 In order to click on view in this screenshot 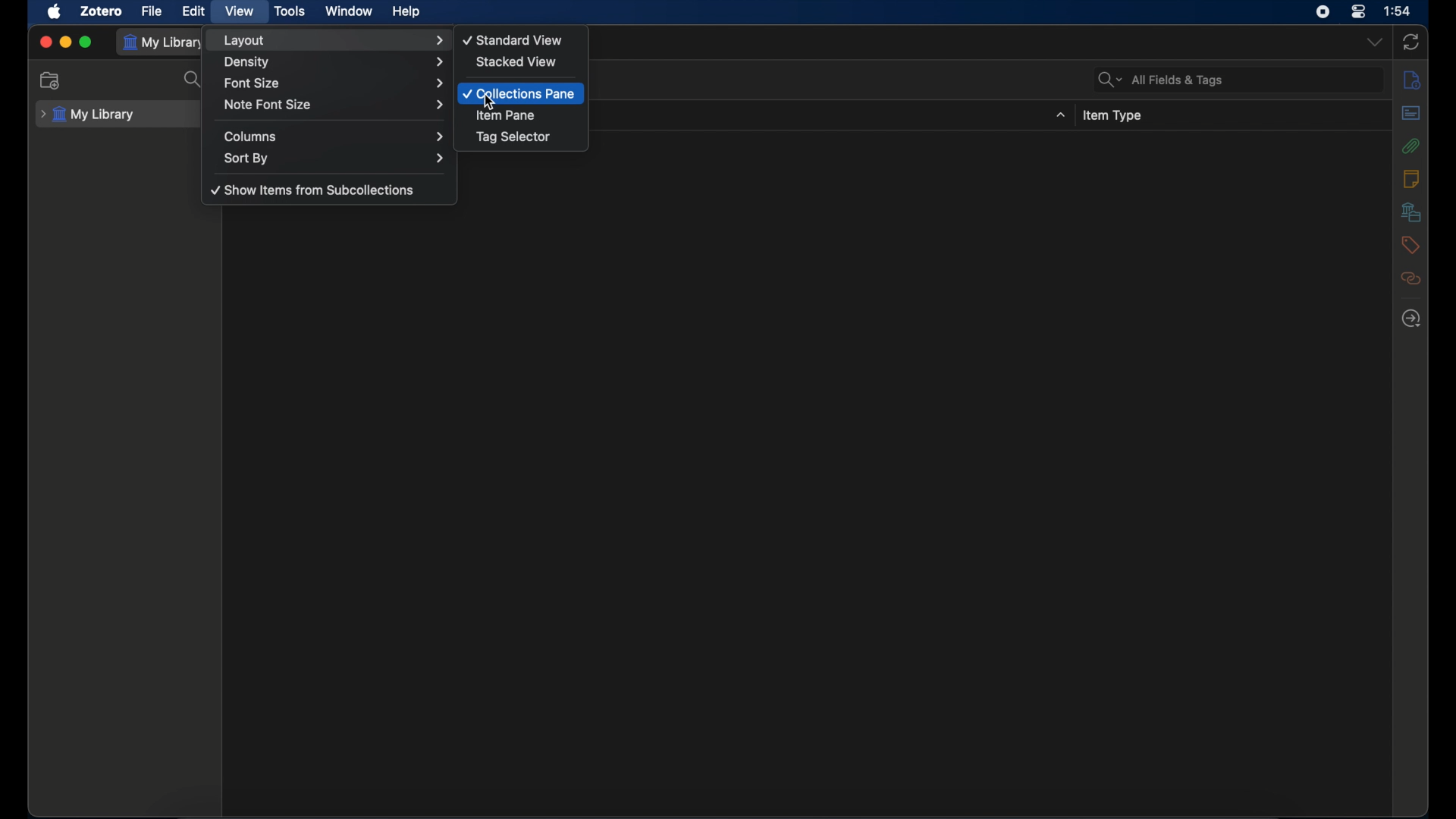, I will do `click(240, 12)`.